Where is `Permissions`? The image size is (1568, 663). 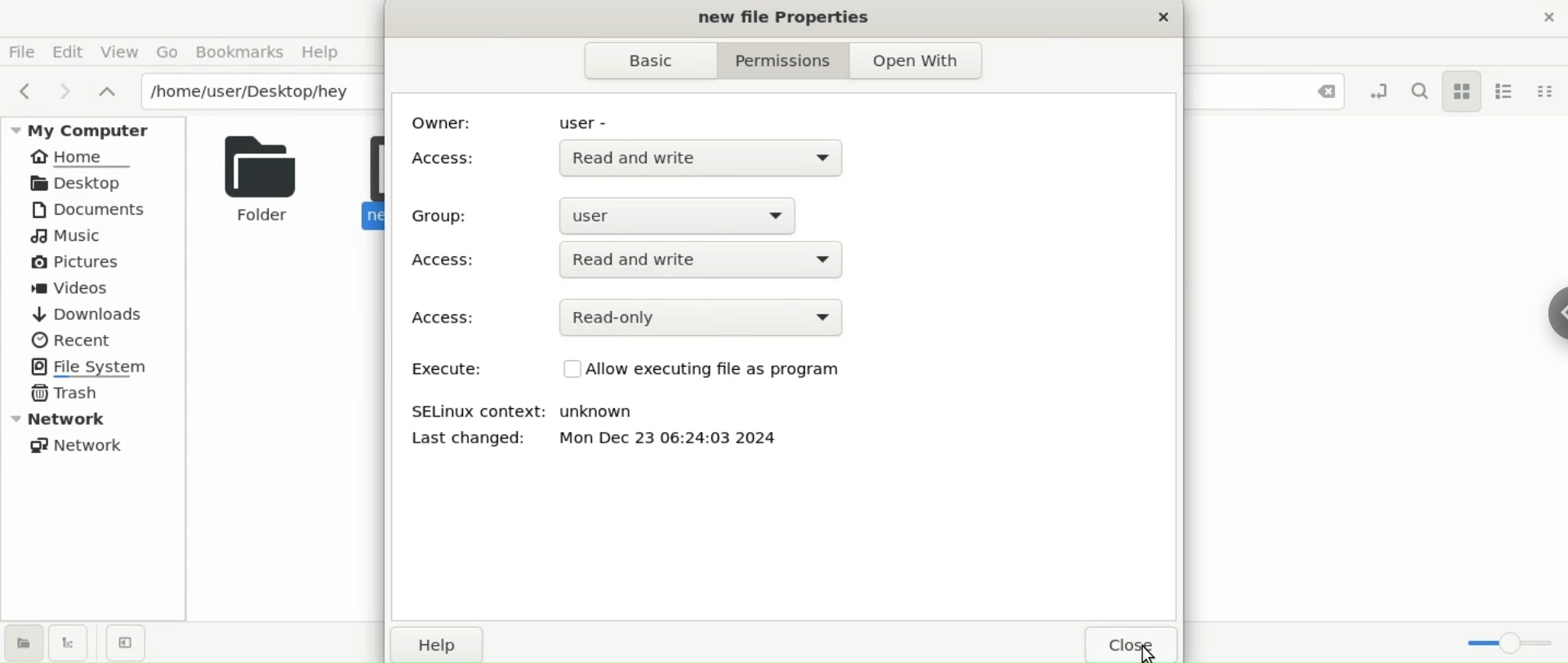
Permissions is located at coordinates (774, 60).